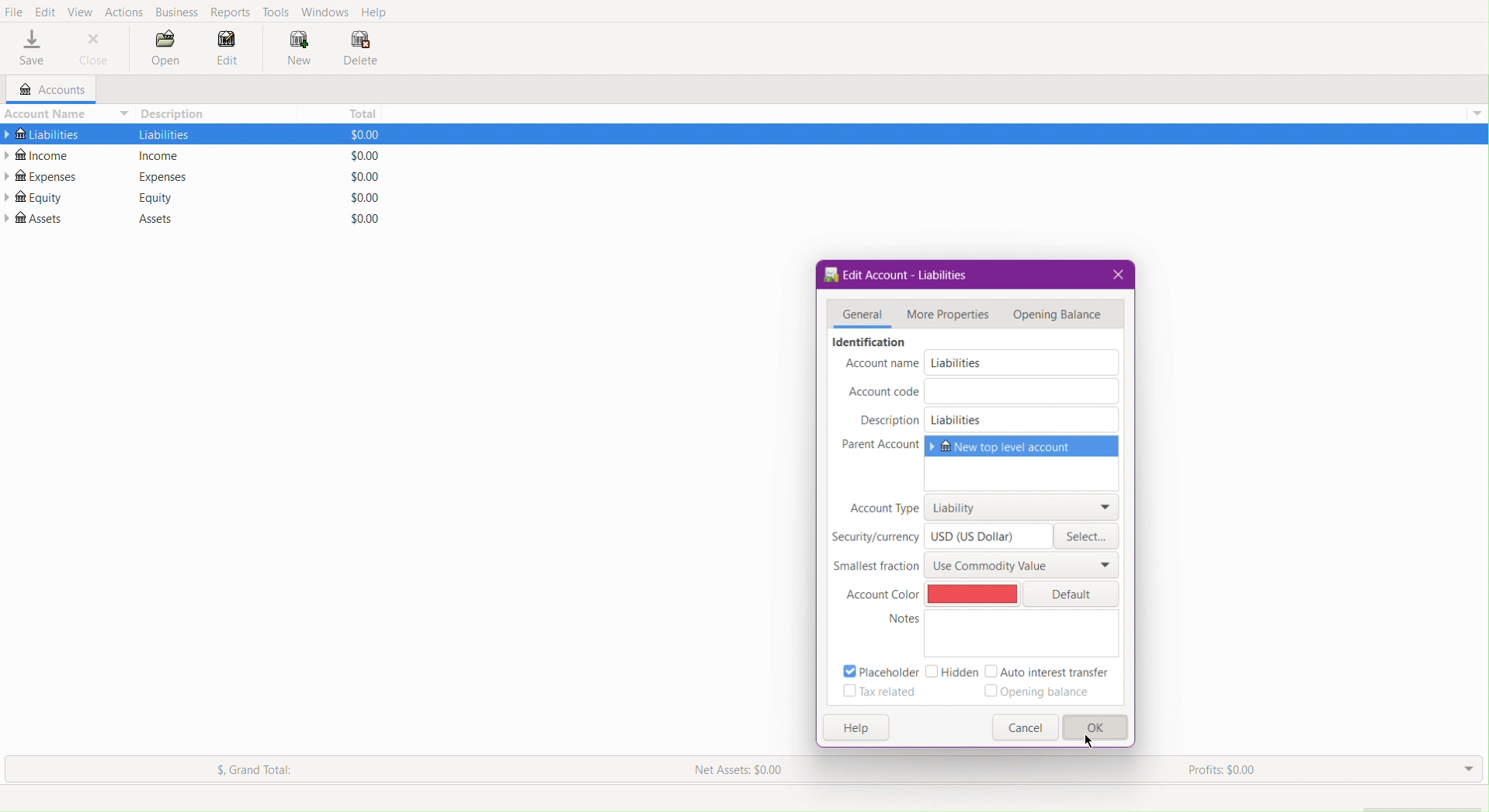 The image size is (1489, 812). I want to click on Net Assets, so click(741, 767).